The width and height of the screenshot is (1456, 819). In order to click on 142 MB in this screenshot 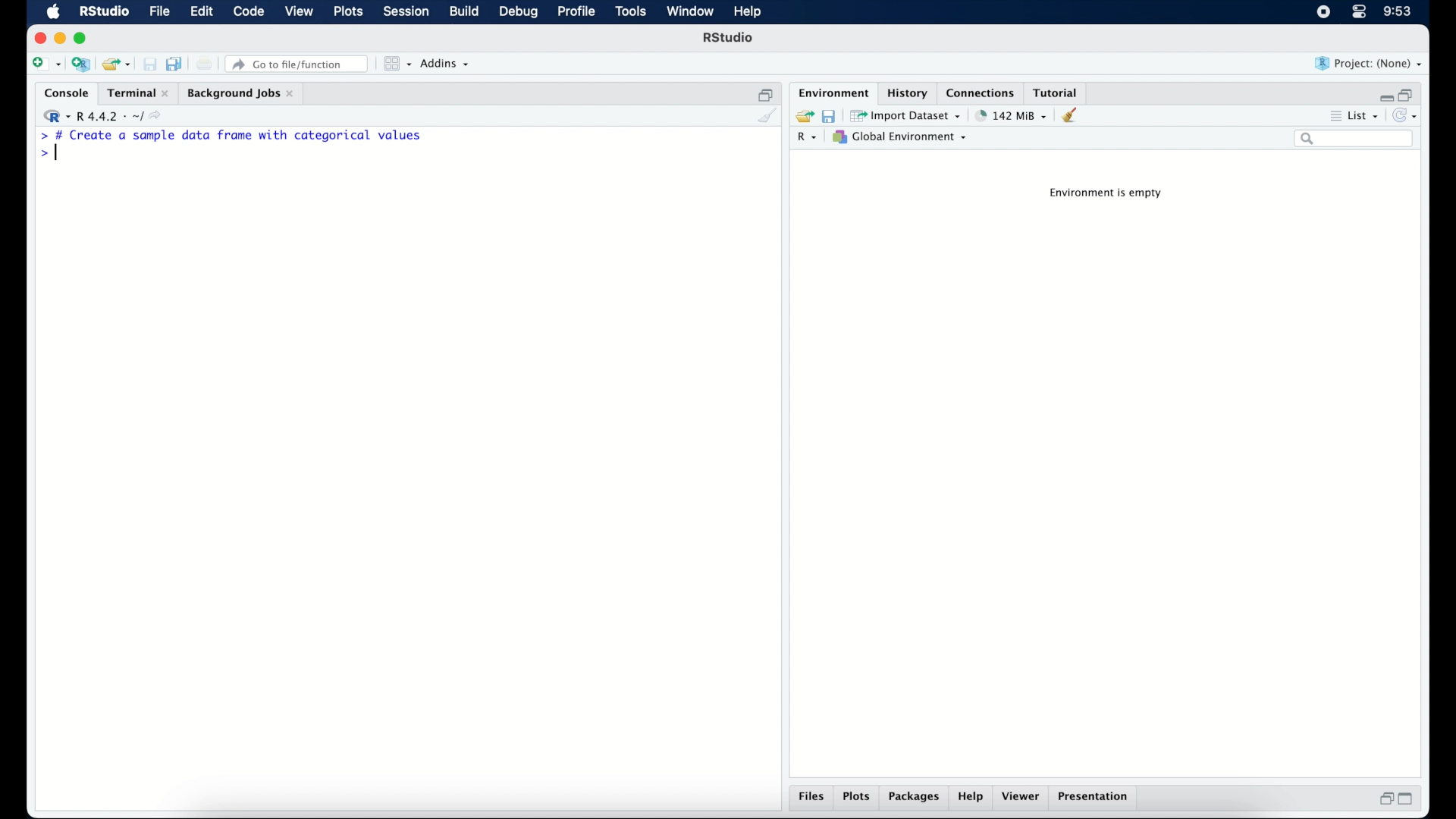, I will do `click(1012, 115)`.